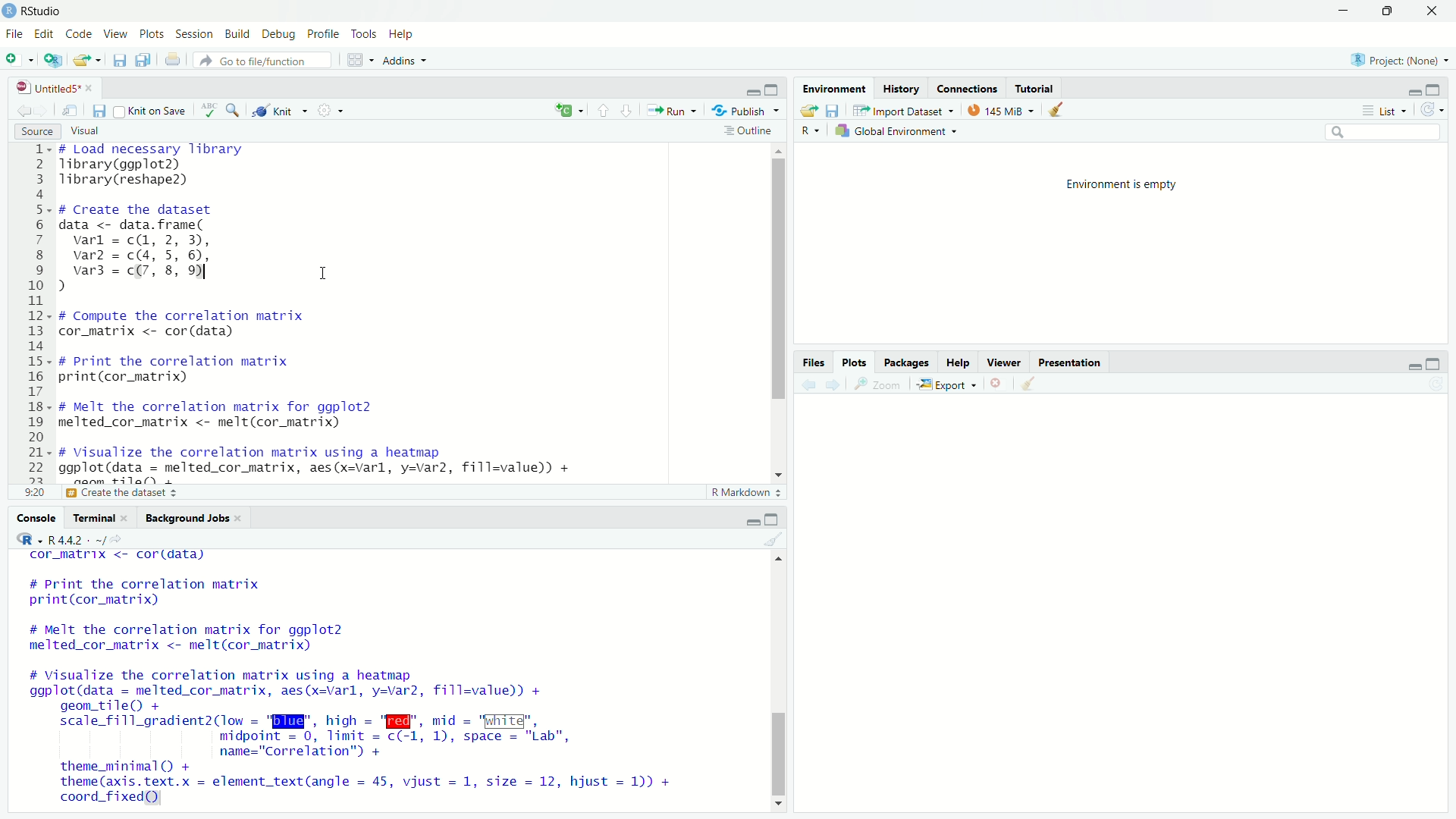 The height and width of the screenshot is (819, 1456). What do you see at coordinates (86, 131) in the screenshot?
I see `visual` at bounding box center [86, 131].